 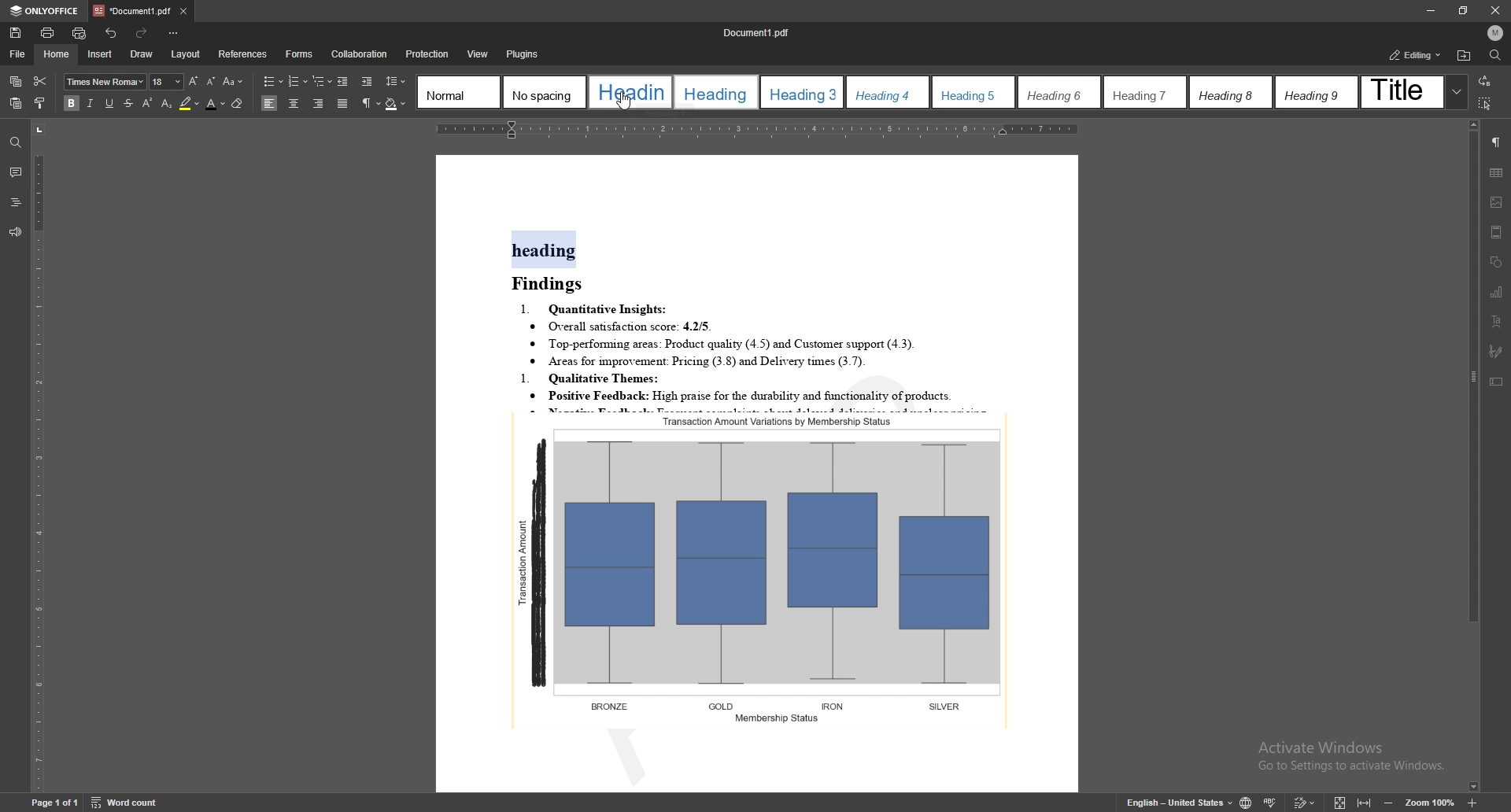 What do you see at coordinates (106, 81) in the screenshot?
I see `font type` at bounding box center [106, 81].